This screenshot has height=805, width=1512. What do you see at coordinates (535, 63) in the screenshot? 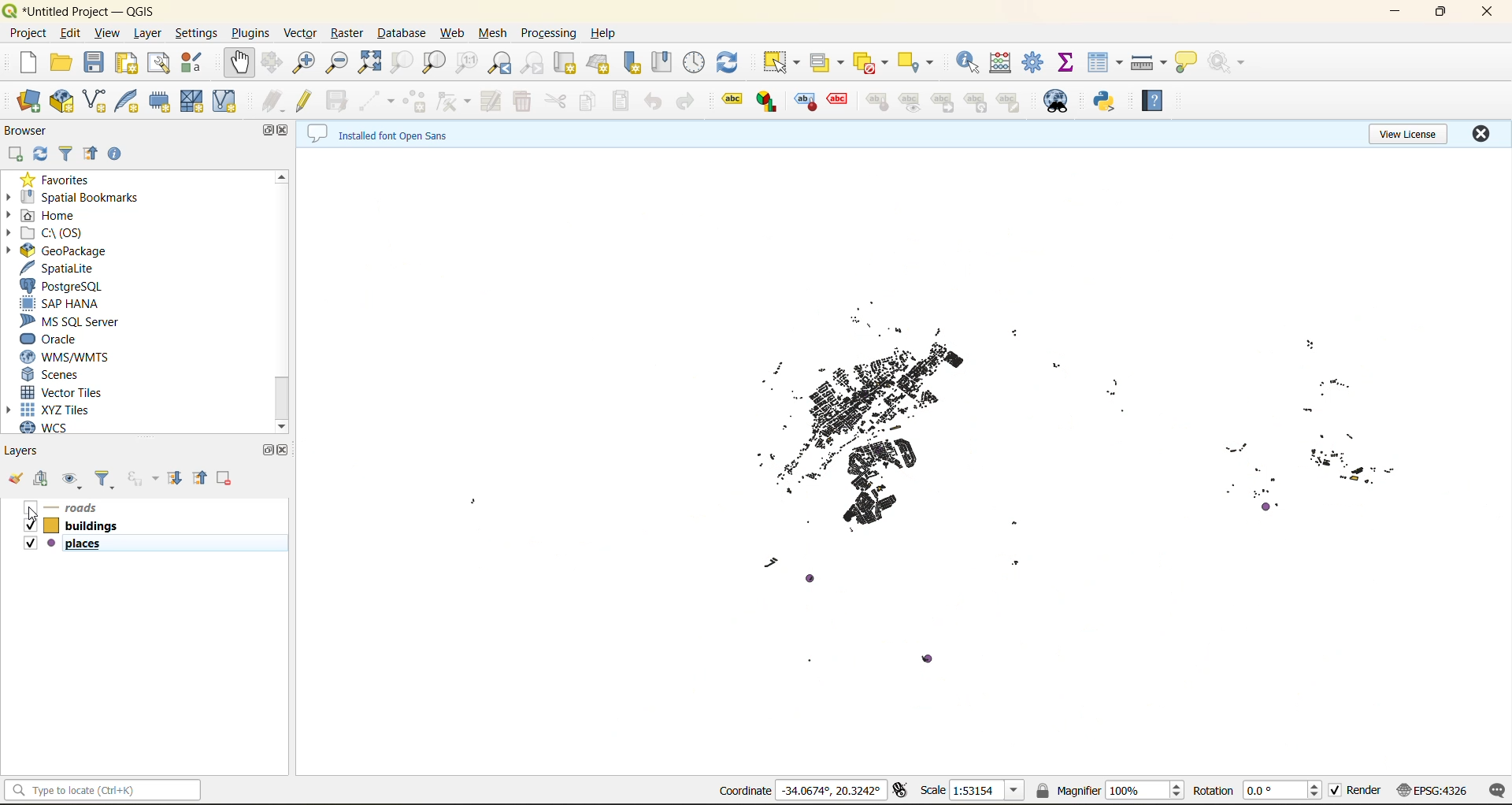
I see `zoom next` at bounding box center [535, 63].